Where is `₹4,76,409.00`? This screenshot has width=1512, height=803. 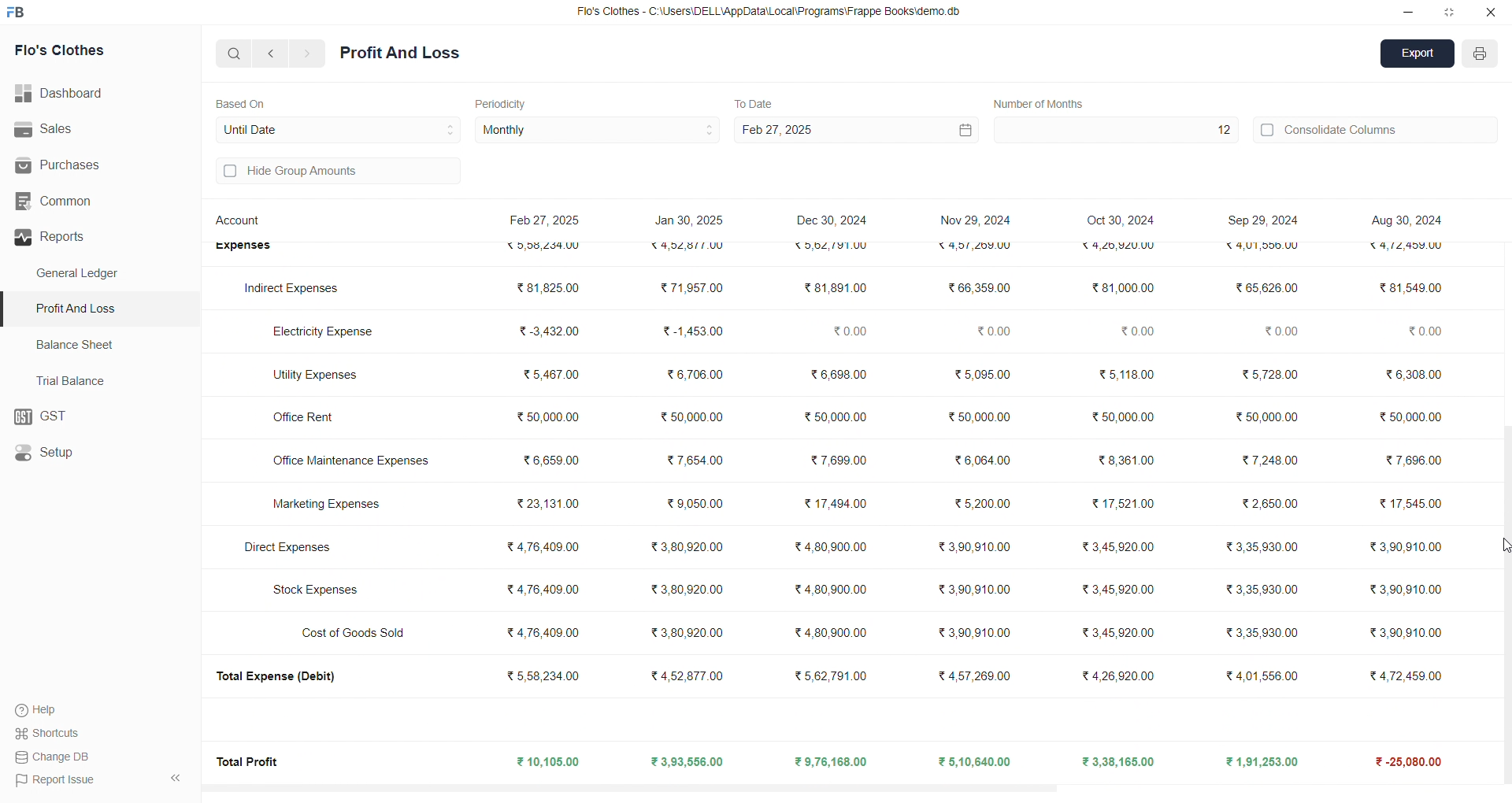 ₹4,76,409.00 is located at coordinates (543, 547).